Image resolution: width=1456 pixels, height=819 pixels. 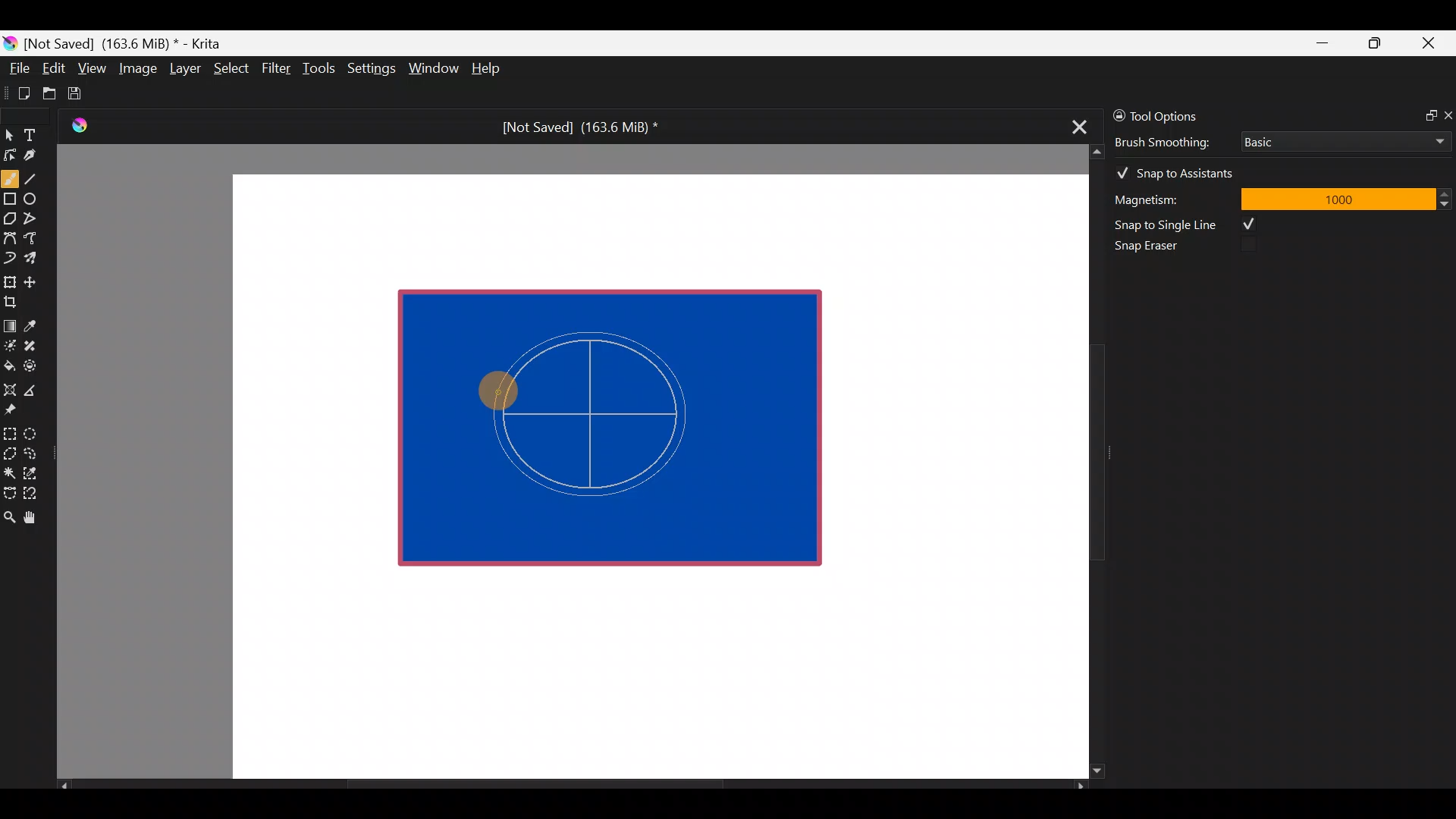 What do you see at coordinates (277, 67) in the screenshot?
I see `Filter` at bounding box center [277, 67].